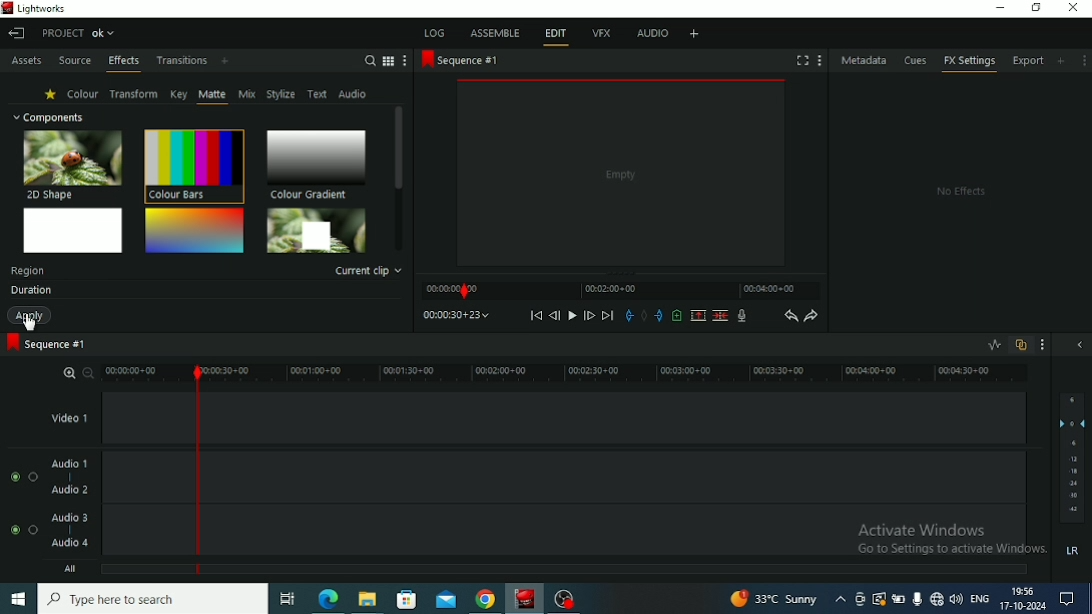 The width and height of the screenshot is (1092, 614). I want to click on Switching Tab, so click(287, 599).